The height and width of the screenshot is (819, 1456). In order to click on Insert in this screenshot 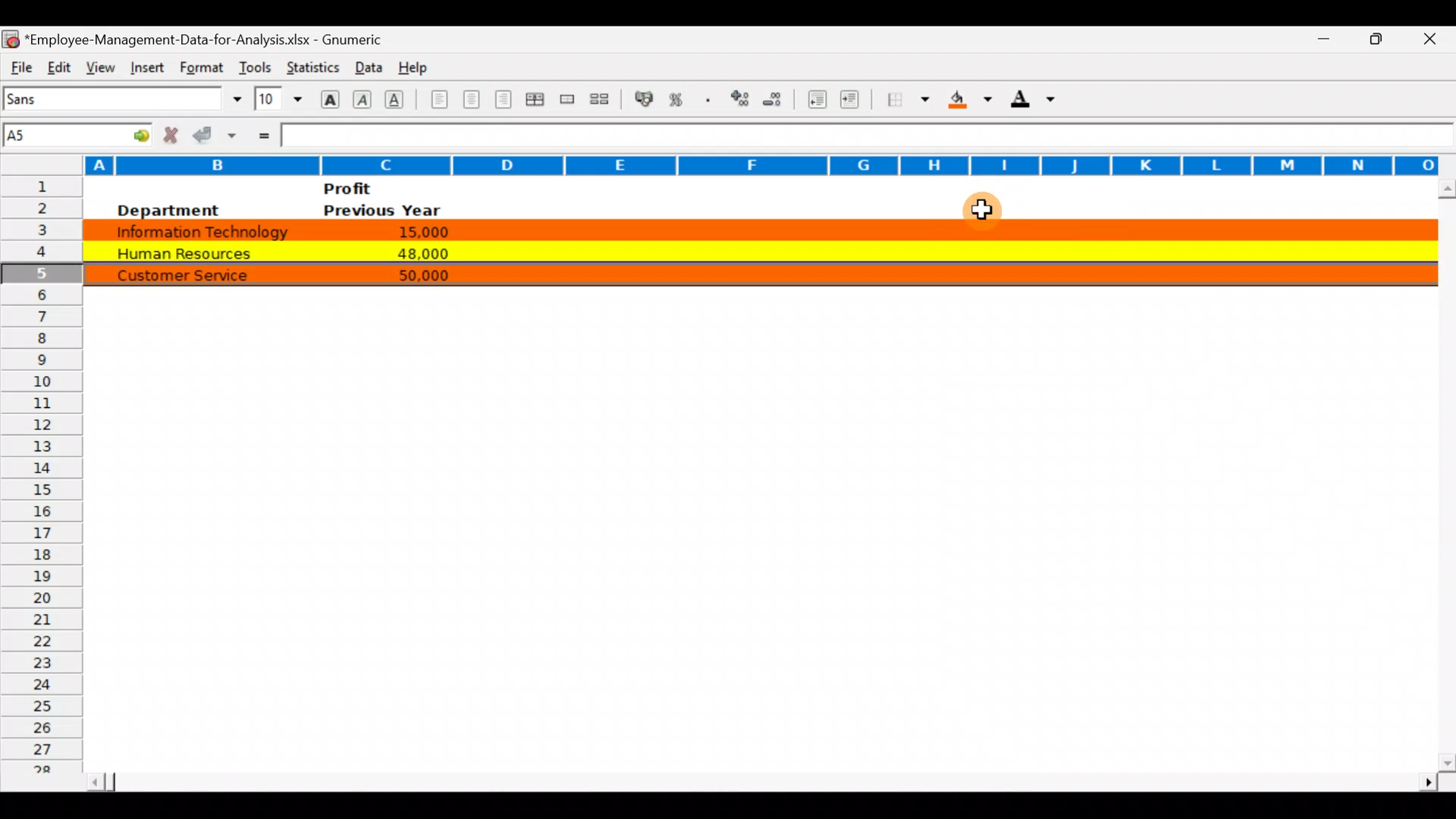, I will do `click(145, 65)`.